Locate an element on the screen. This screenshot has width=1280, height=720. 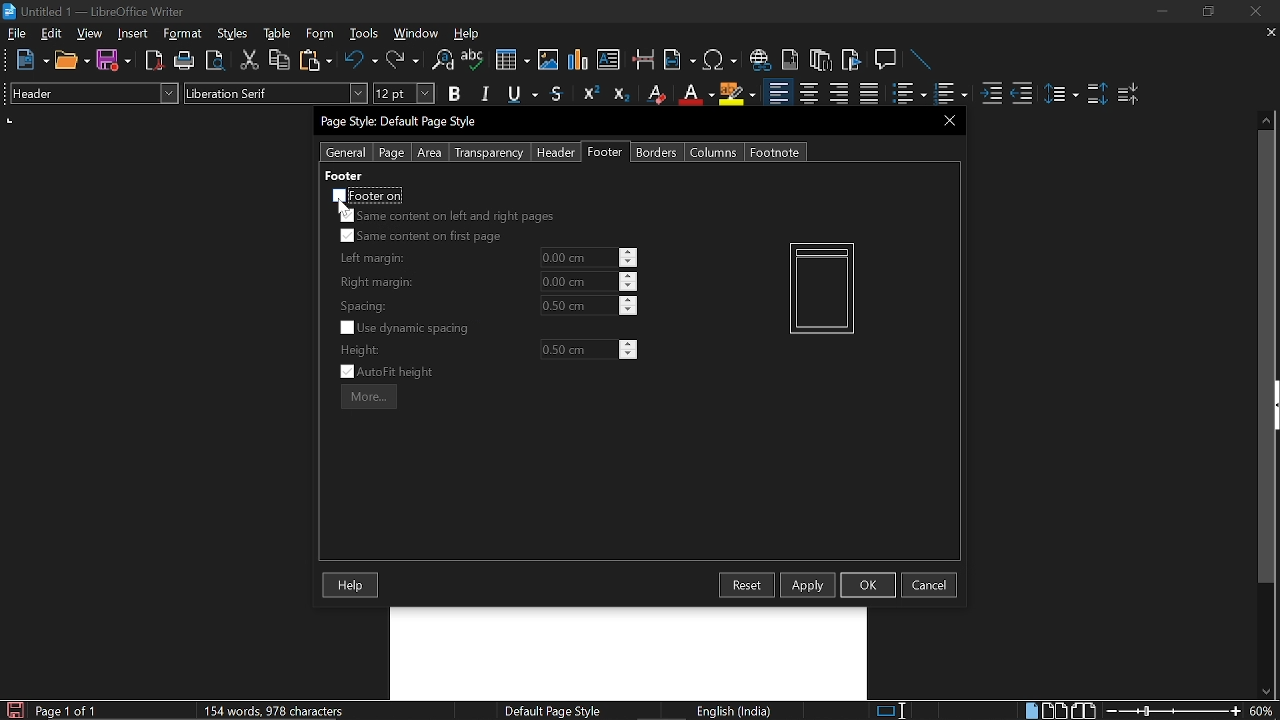
current height is located at coordinates (578, 350).